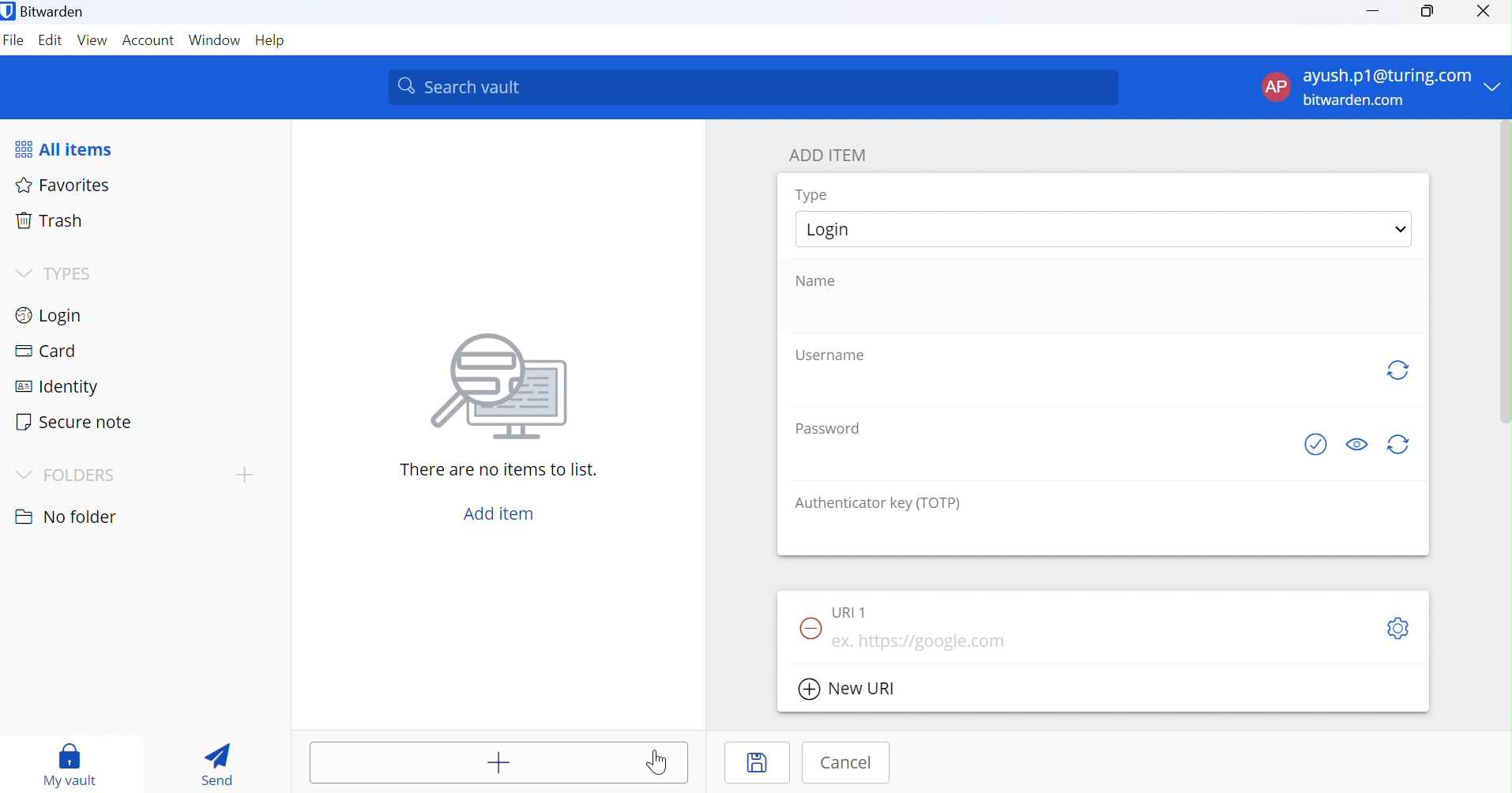 This screenshot has height=793, width=1512. Describe the element at coordinates (219, 765) in the screenshot. I see `Send` at that location.